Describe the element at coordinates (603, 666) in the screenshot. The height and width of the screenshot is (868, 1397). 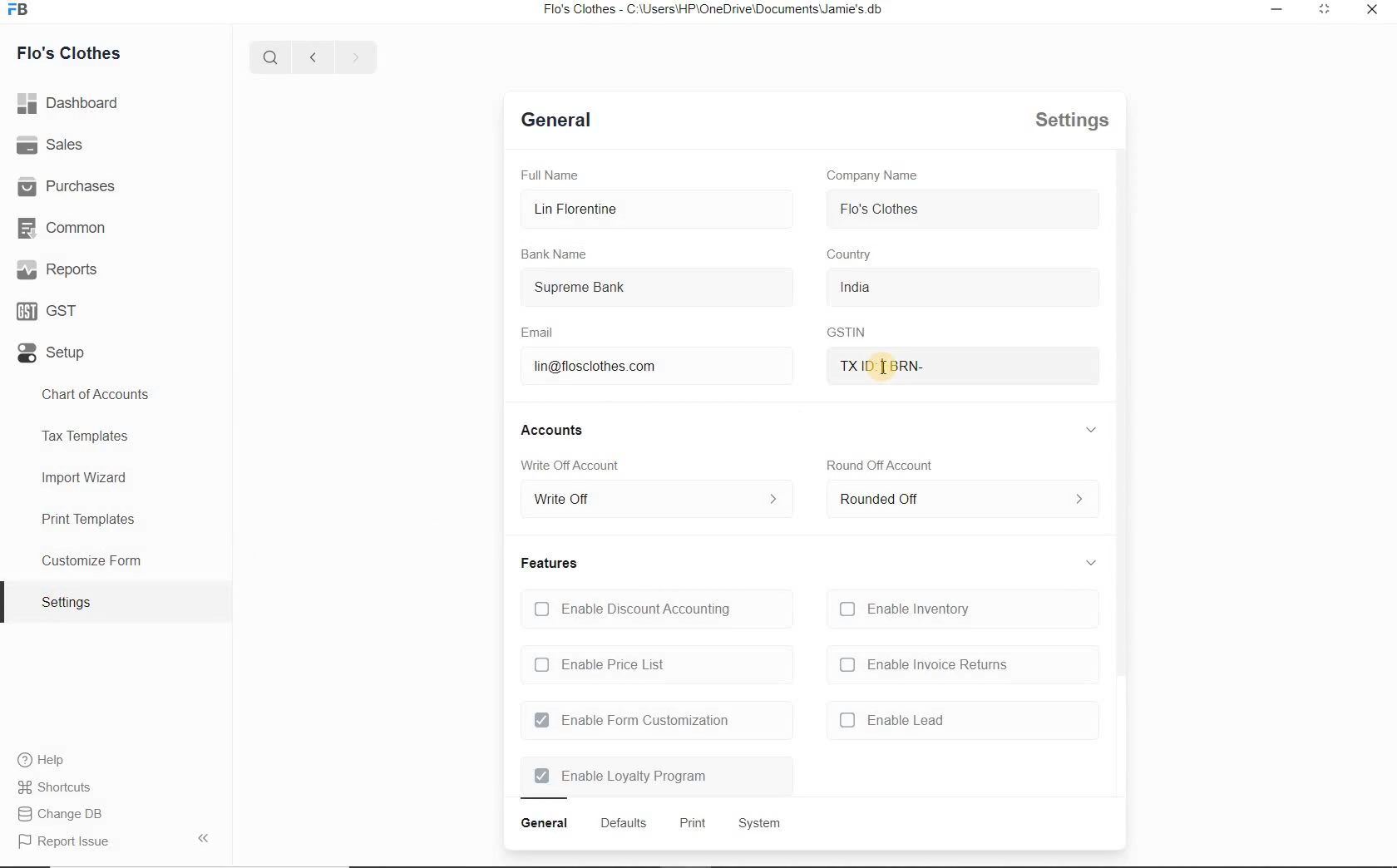
I see `Enable Price List` at that location.